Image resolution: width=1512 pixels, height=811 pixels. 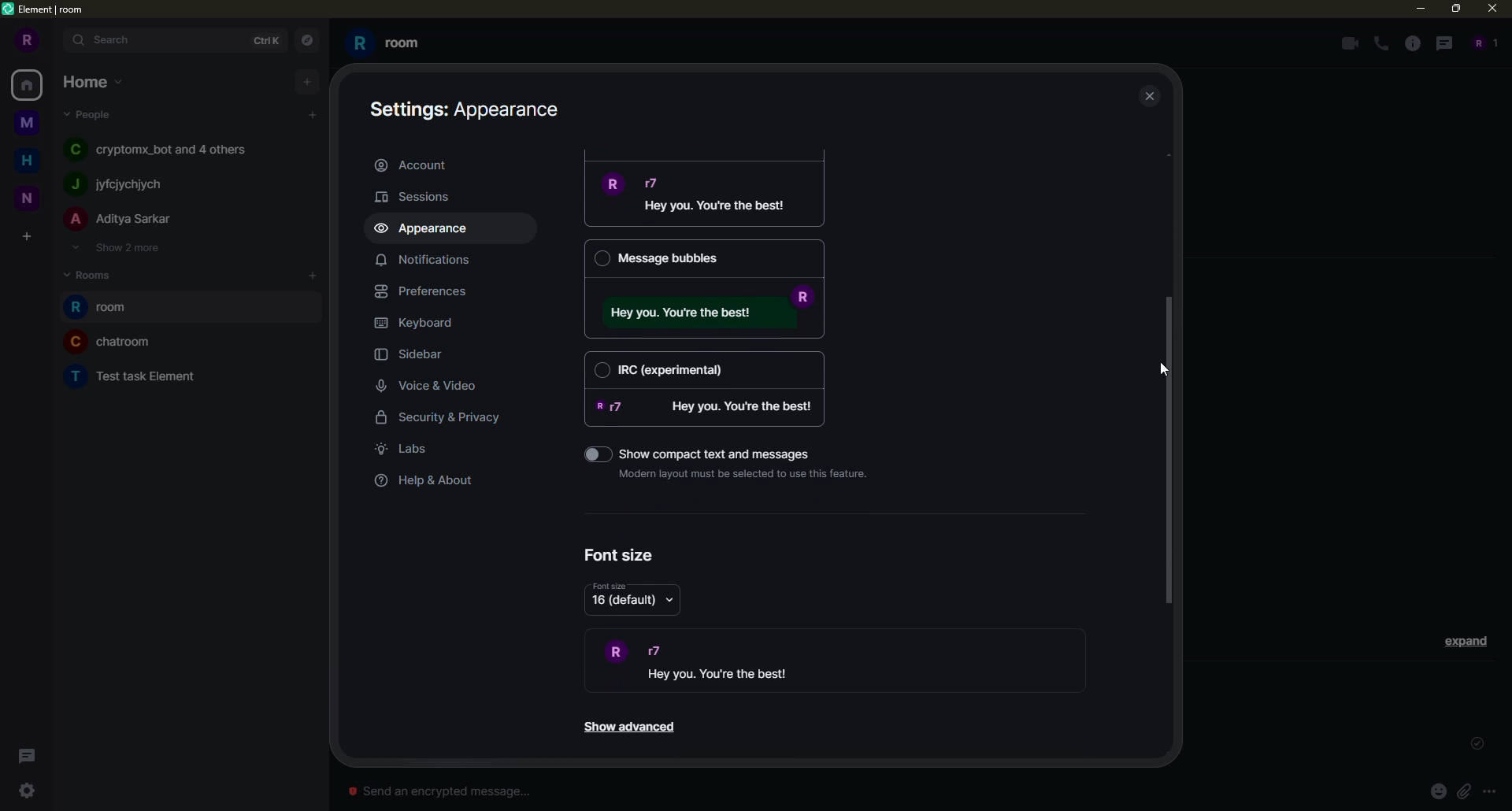 I want to click on 16, so click(x=624, y=601).